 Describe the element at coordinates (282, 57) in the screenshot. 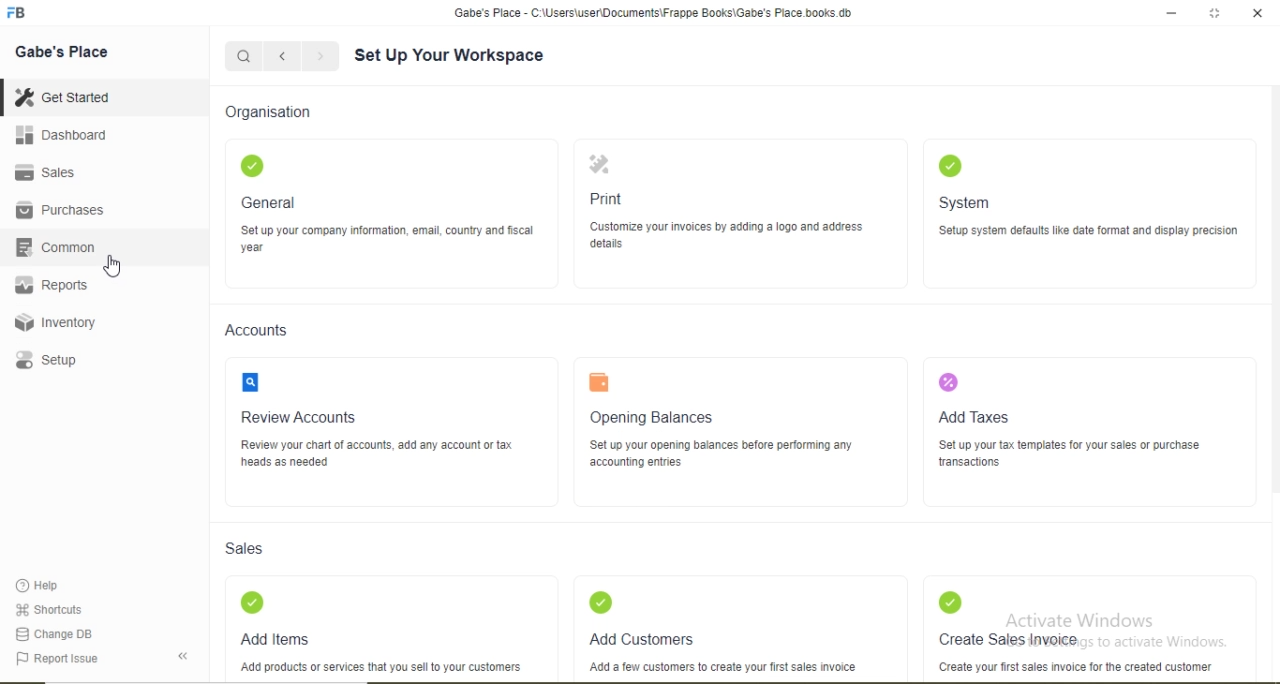

I see `Backward` at that location.